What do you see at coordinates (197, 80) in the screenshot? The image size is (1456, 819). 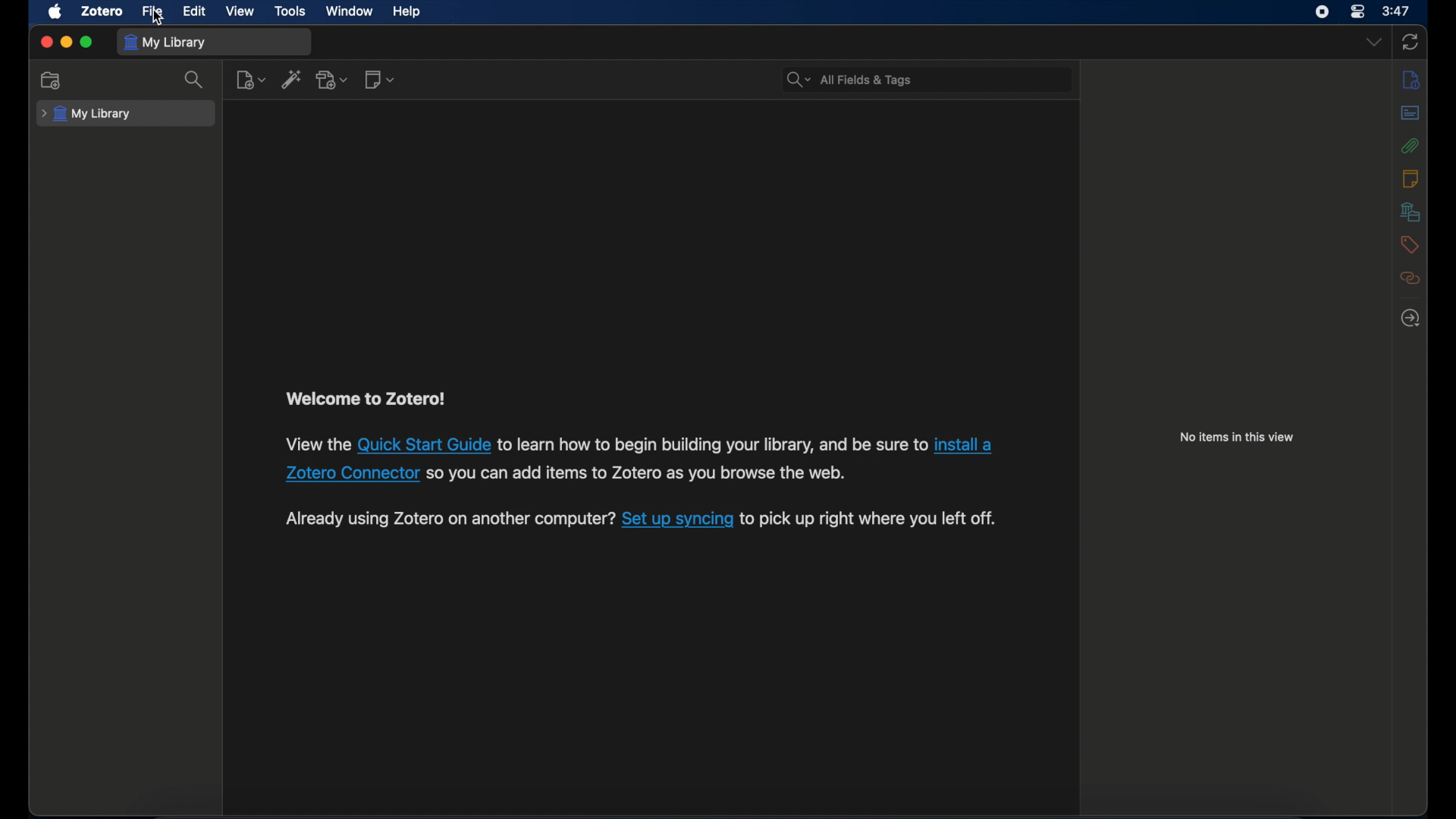 I see `search` at bounding box center [197, 80].